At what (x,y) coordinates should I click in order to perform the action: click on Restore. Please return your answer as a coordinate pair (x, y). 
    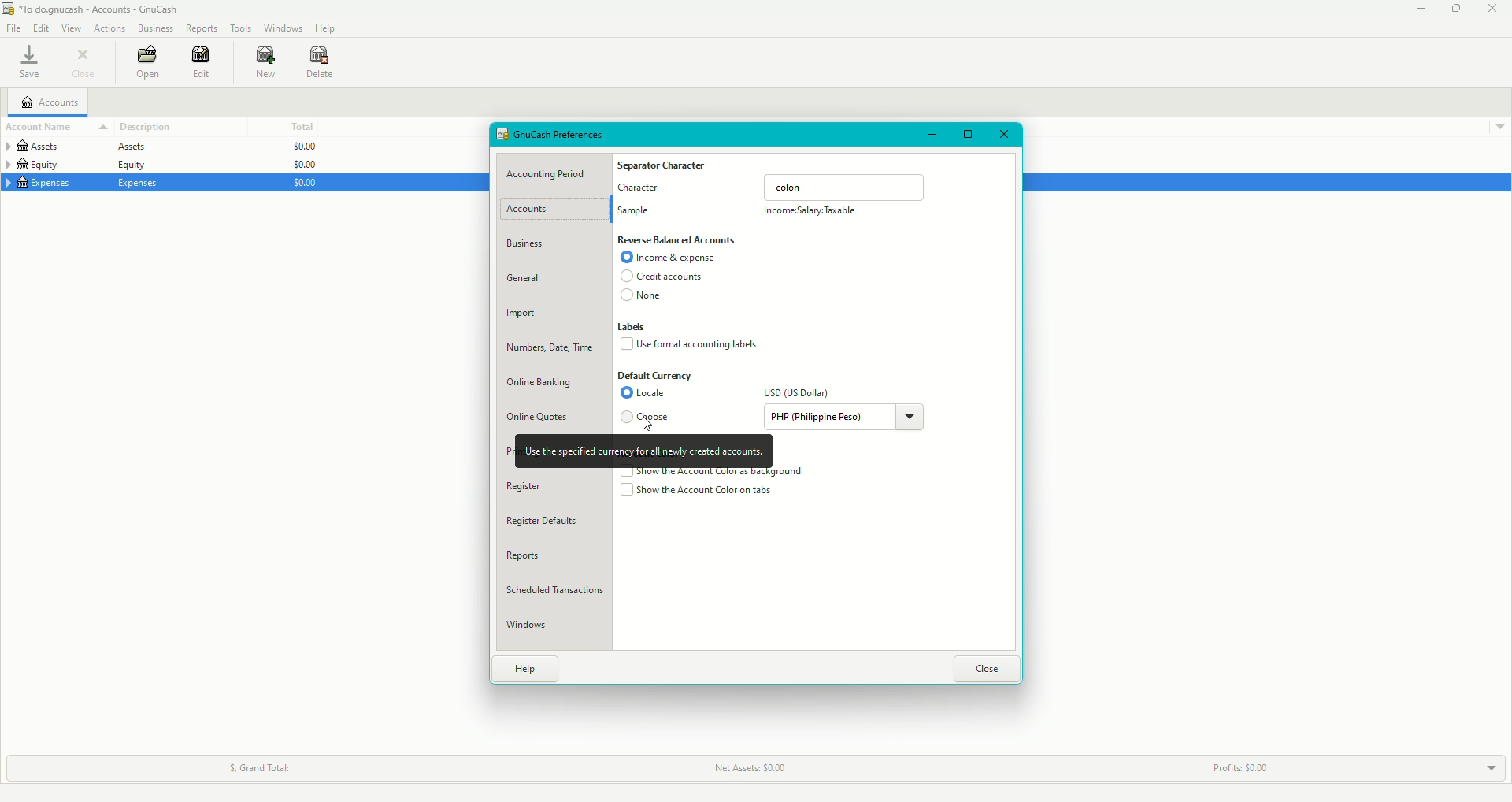
    Looking at the image, I should click on (1455, 9).